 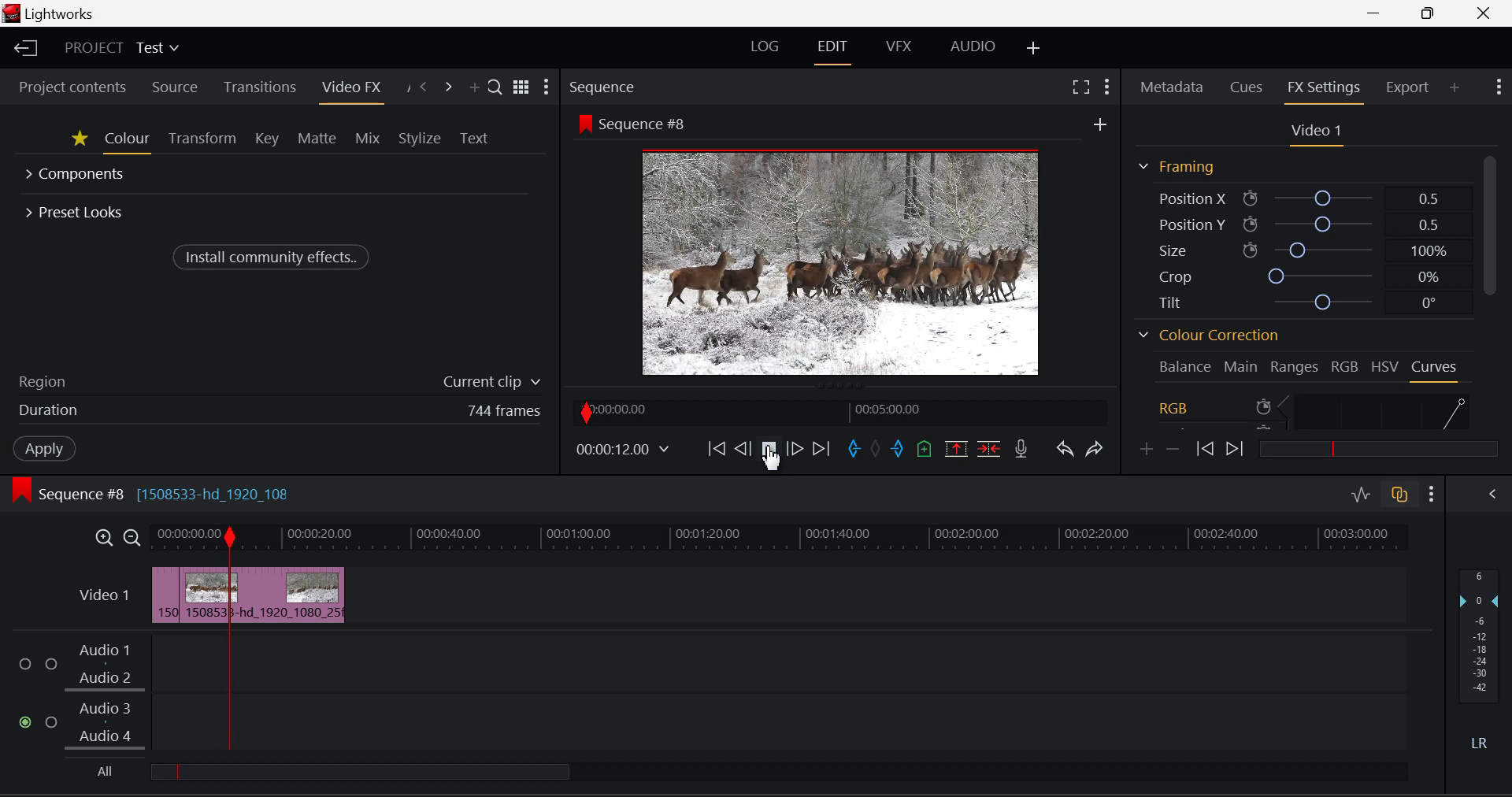 What do you see at coordinates (259, 87) in the screenshot?
I see `Transitions` at bounding box center [259, 87].